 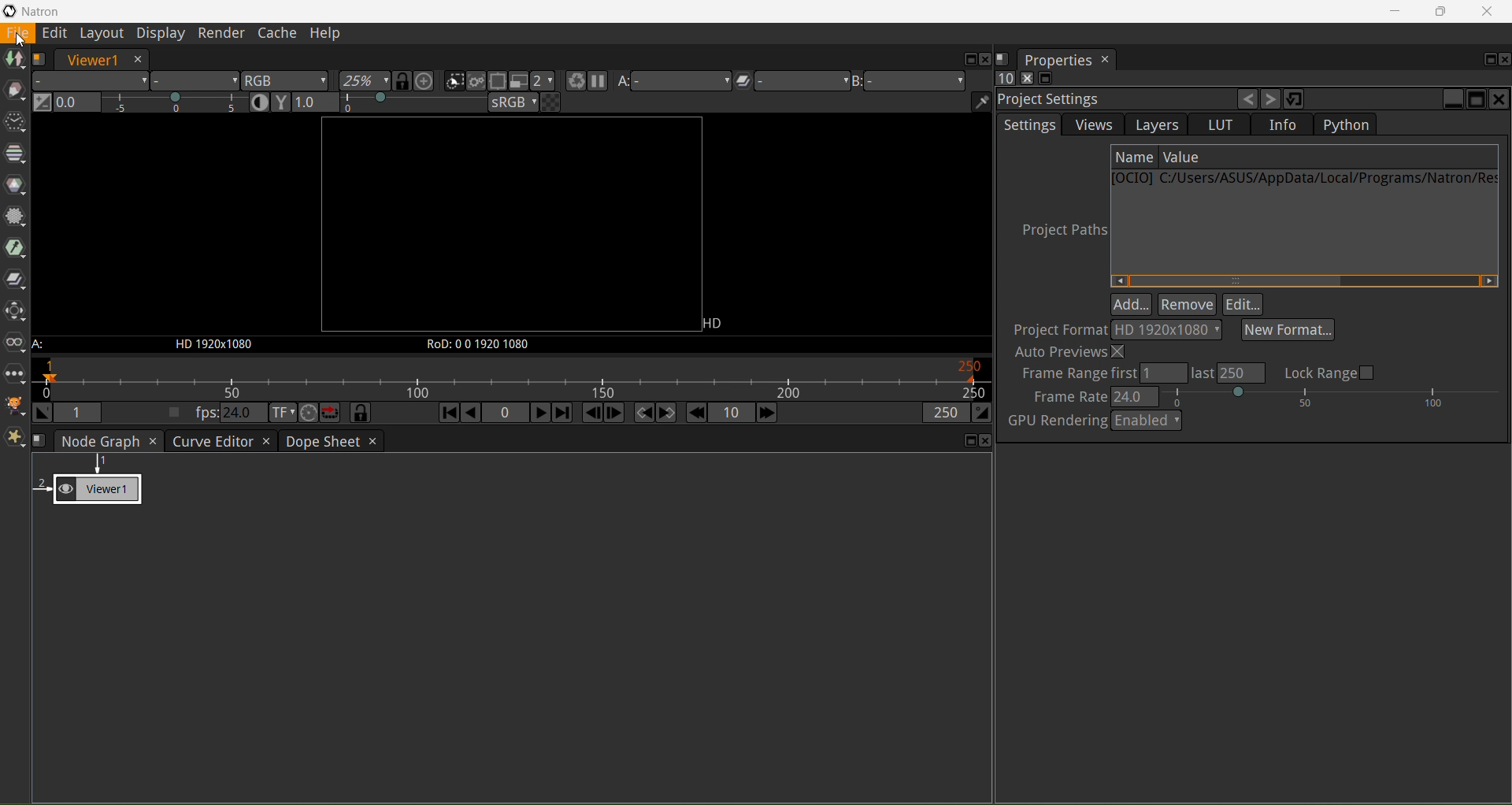 I want to click on Manage the layouts for this pane, so click(x=40, y=60).